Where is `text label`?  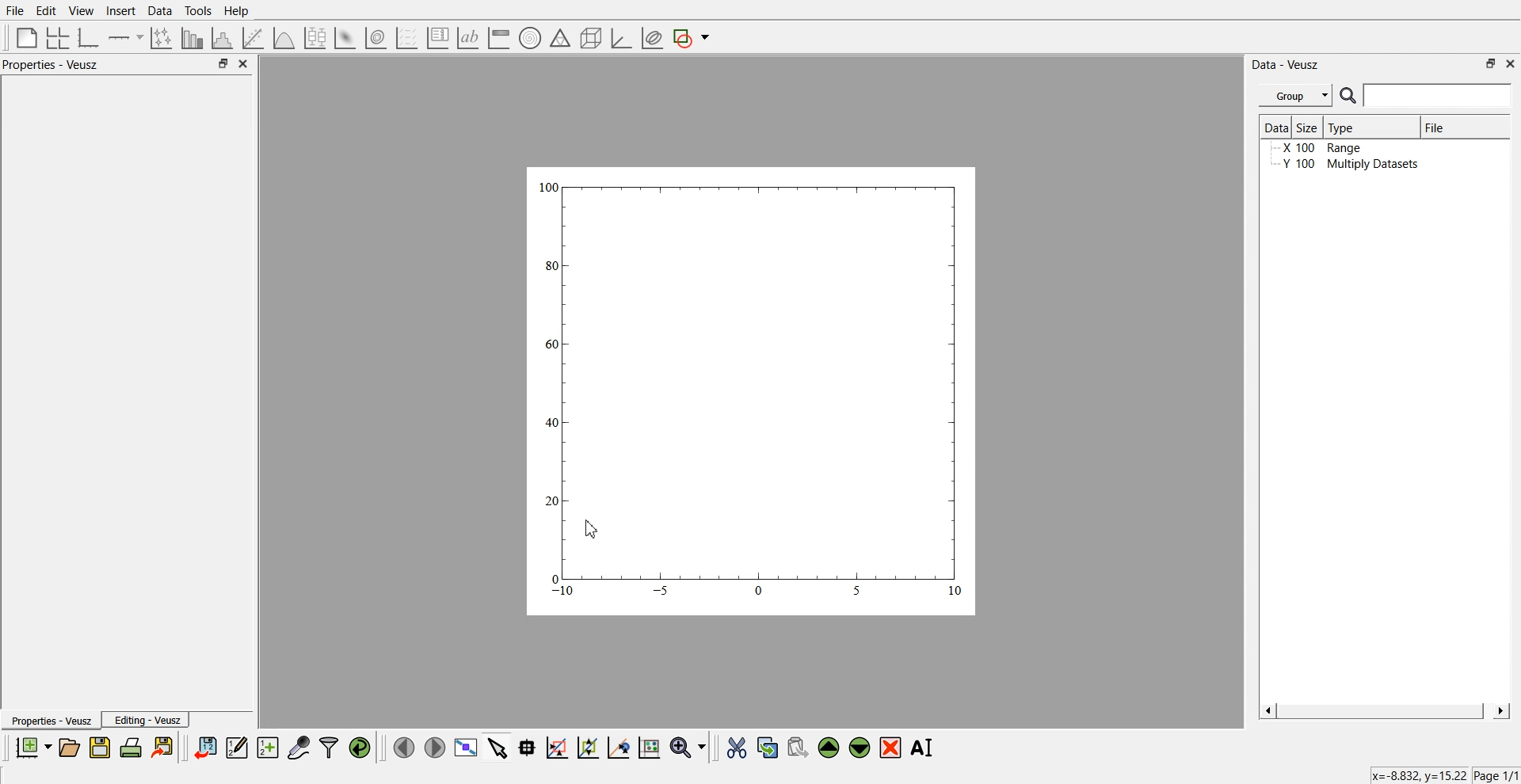
text label is located at coordinates (466, 38).